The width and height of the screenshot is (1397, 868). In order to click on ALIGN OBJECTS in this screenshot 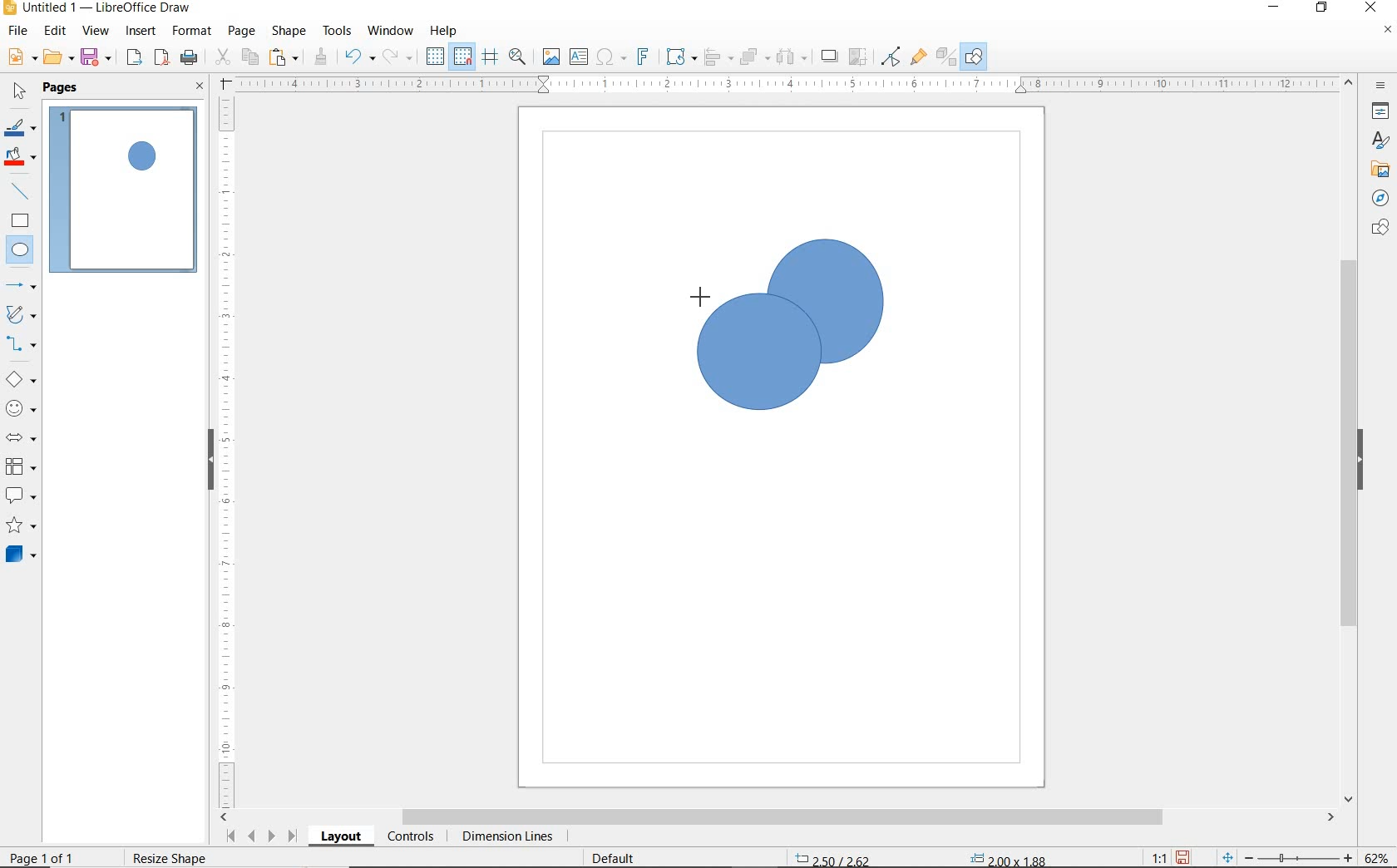, I will do `click(717, 59)`.